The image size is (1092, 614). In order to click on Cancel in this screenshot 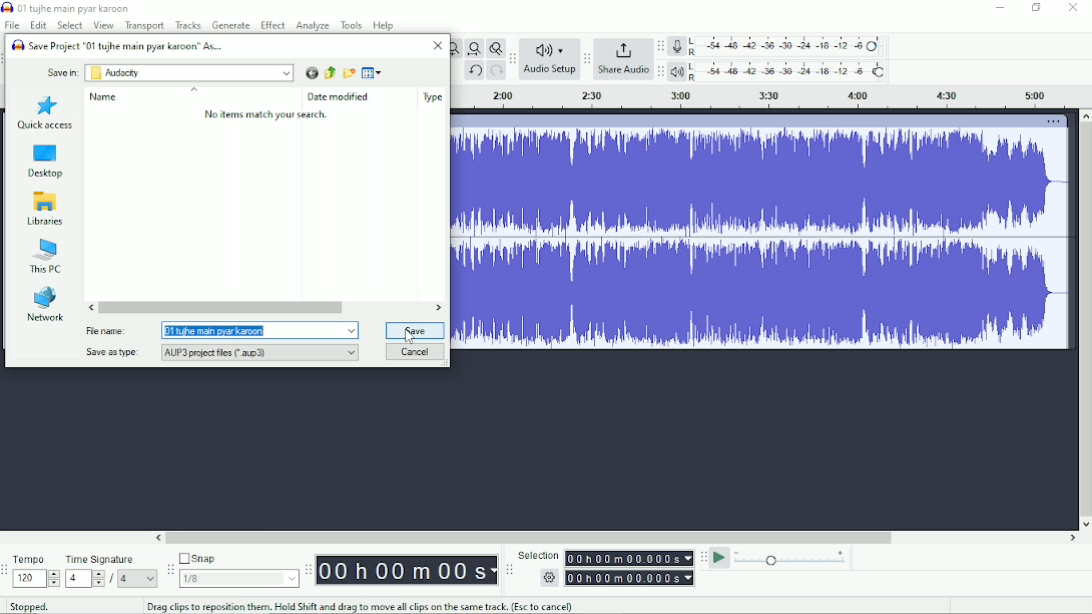, I will do `click(414, 352)`.